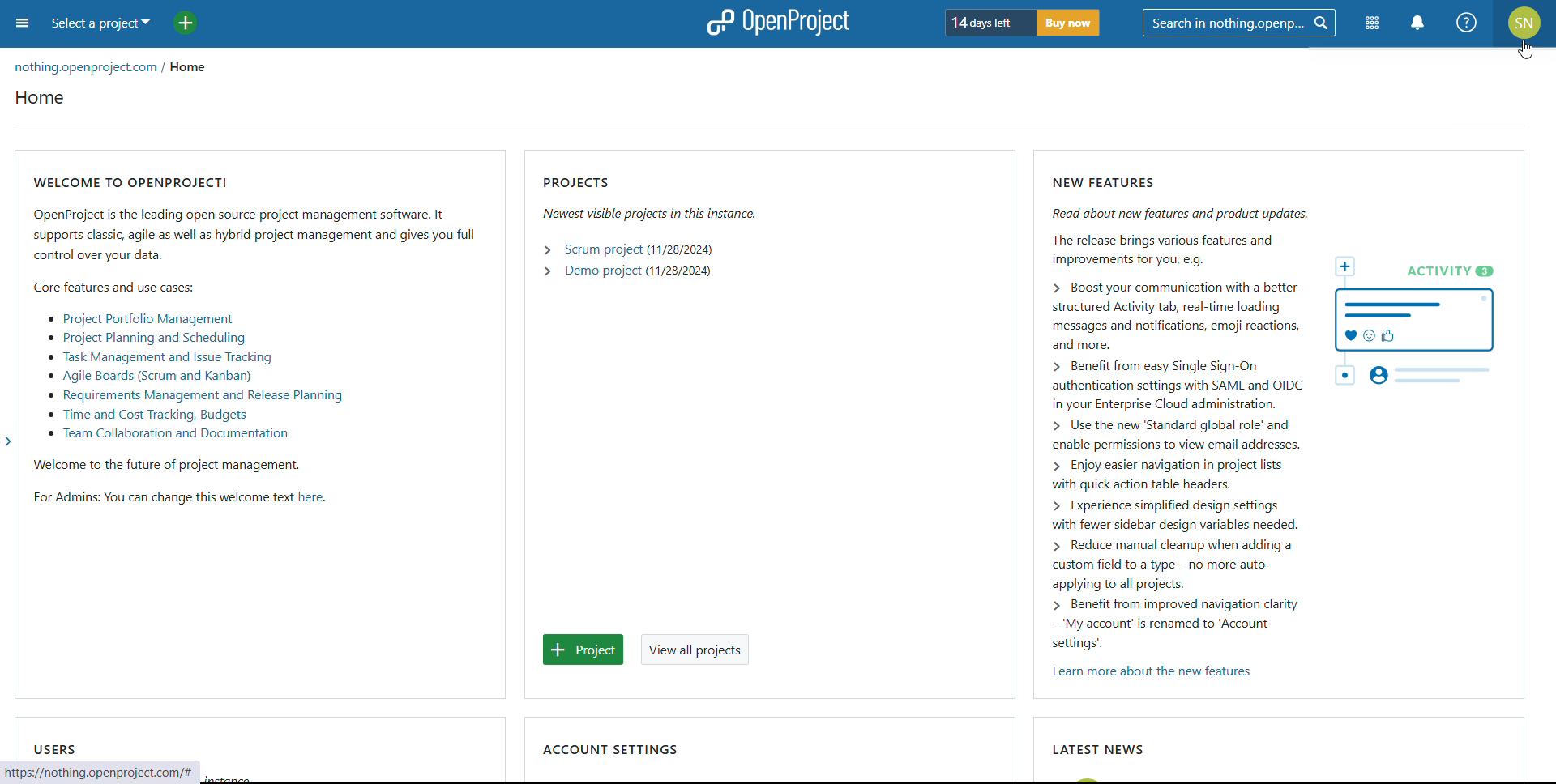 The width and height of the screenshot is (1556, 784). Describe the element at coordinates (695, 649) in the screenshot. I see `view all topics` at that location.